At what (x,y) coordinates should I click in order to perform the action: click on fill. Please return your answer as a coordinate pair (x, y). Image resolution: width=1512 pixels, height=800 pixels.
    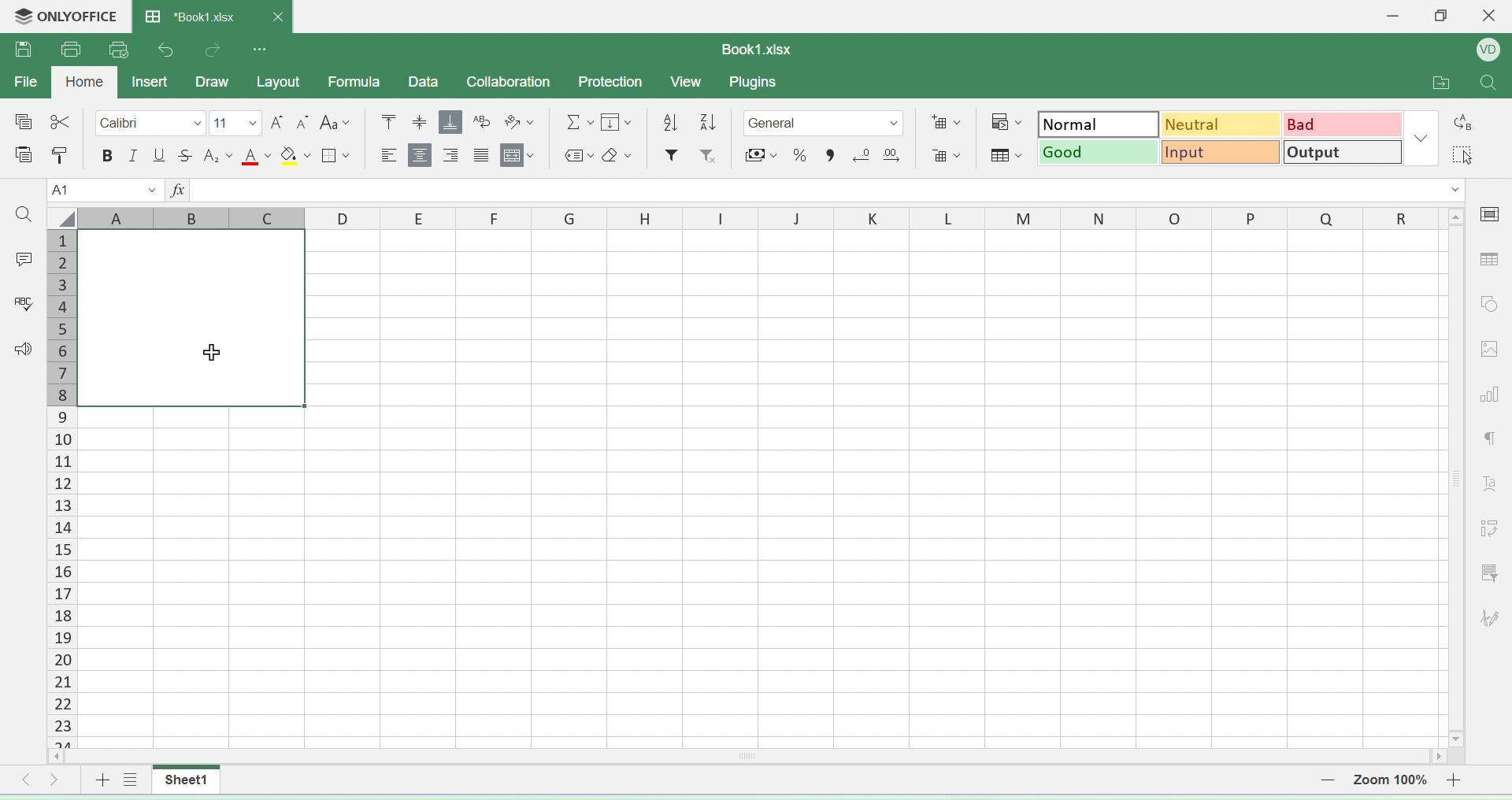
    Looking at the image, I should click on (621, 124).